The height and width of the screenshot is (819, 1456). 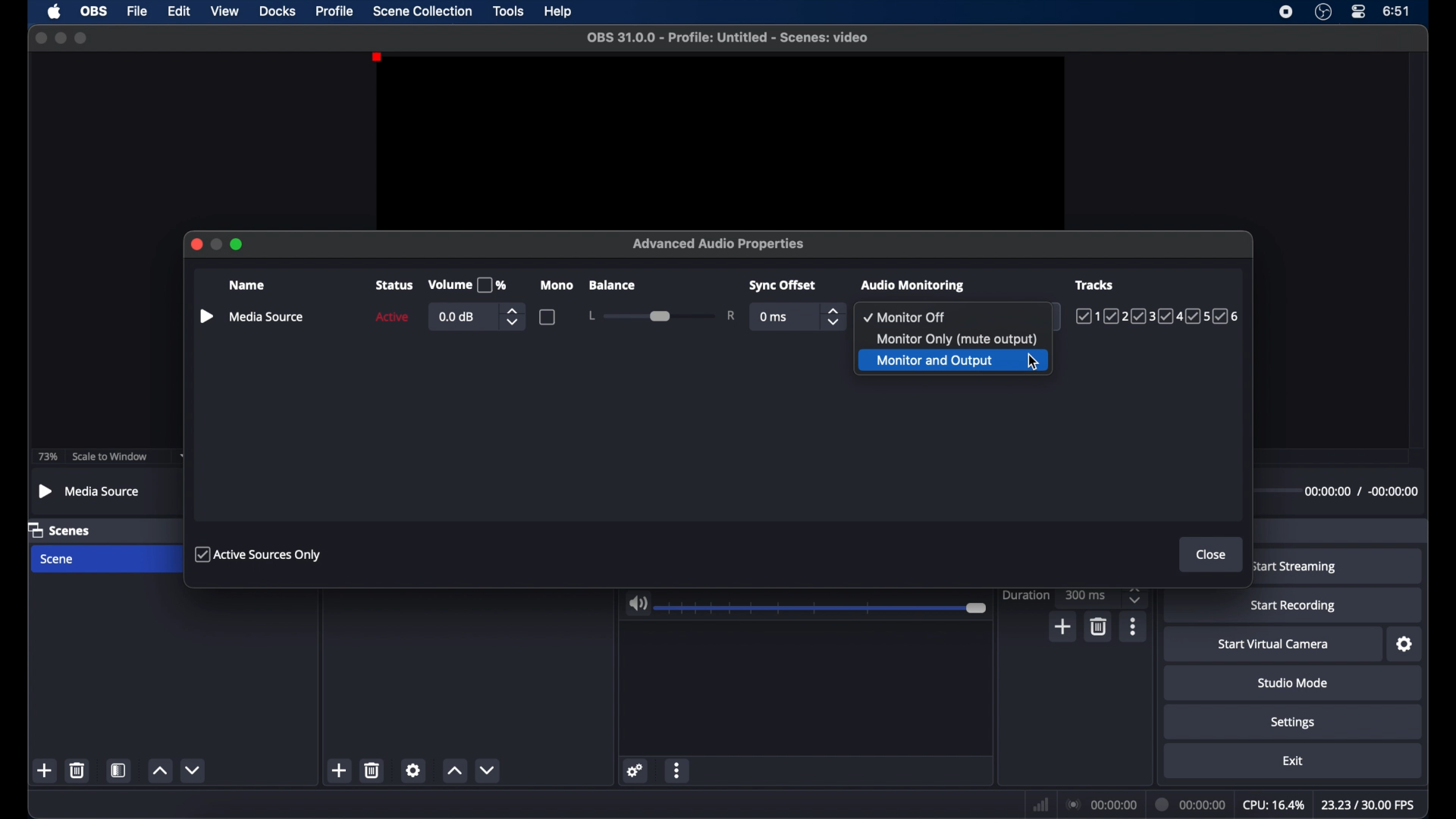 What do you see at coordinates (1027, 596) in the screenshot?
I see `duration` at bounding box center [1027, 596].